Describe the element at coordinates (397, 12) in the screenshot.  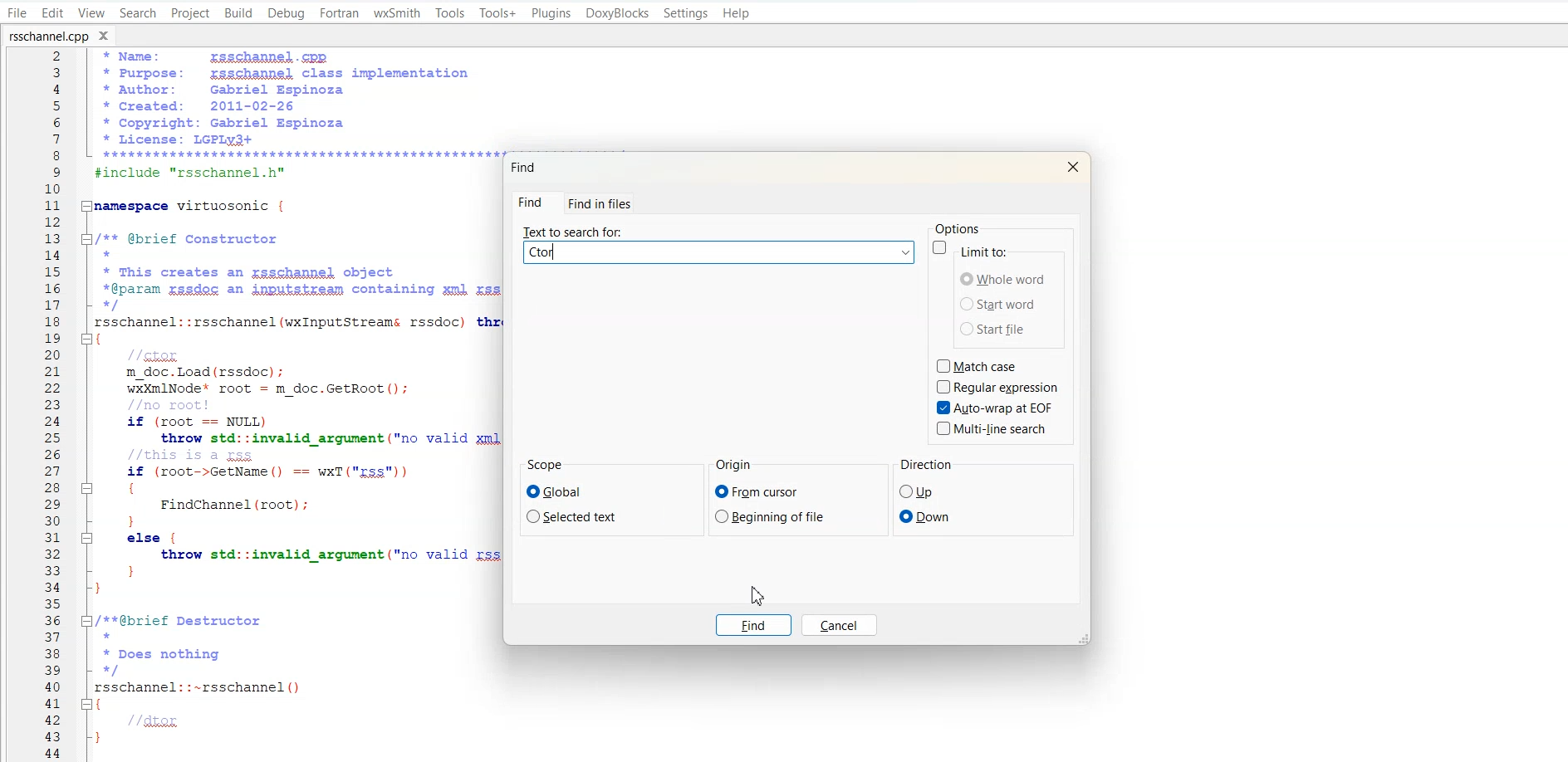
I see `wxSmith` at that location.